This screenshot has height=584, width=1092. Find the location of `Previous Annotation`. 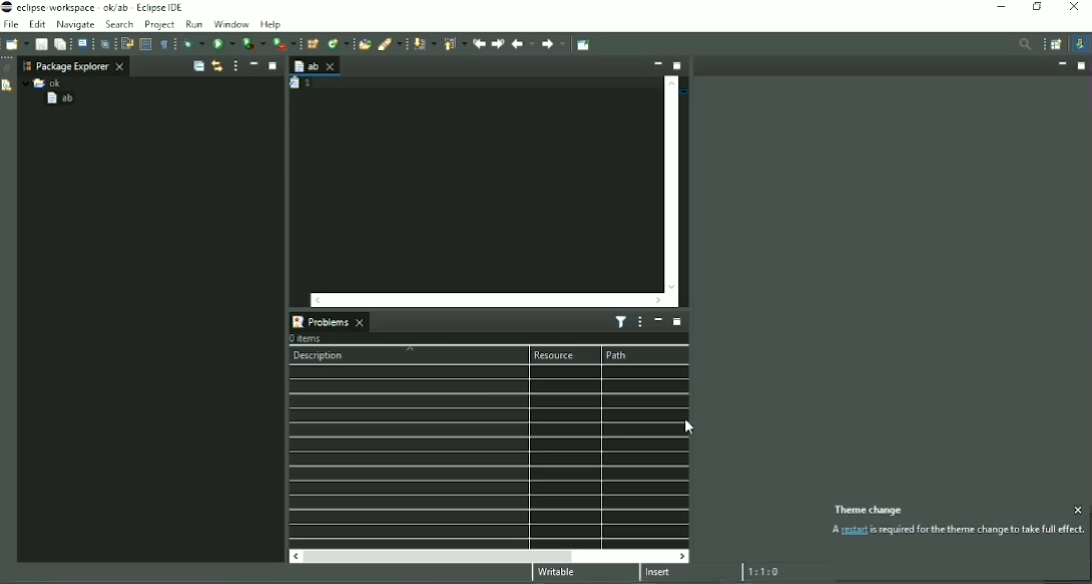

Previous Annotation is located at coordinates (455, 42).